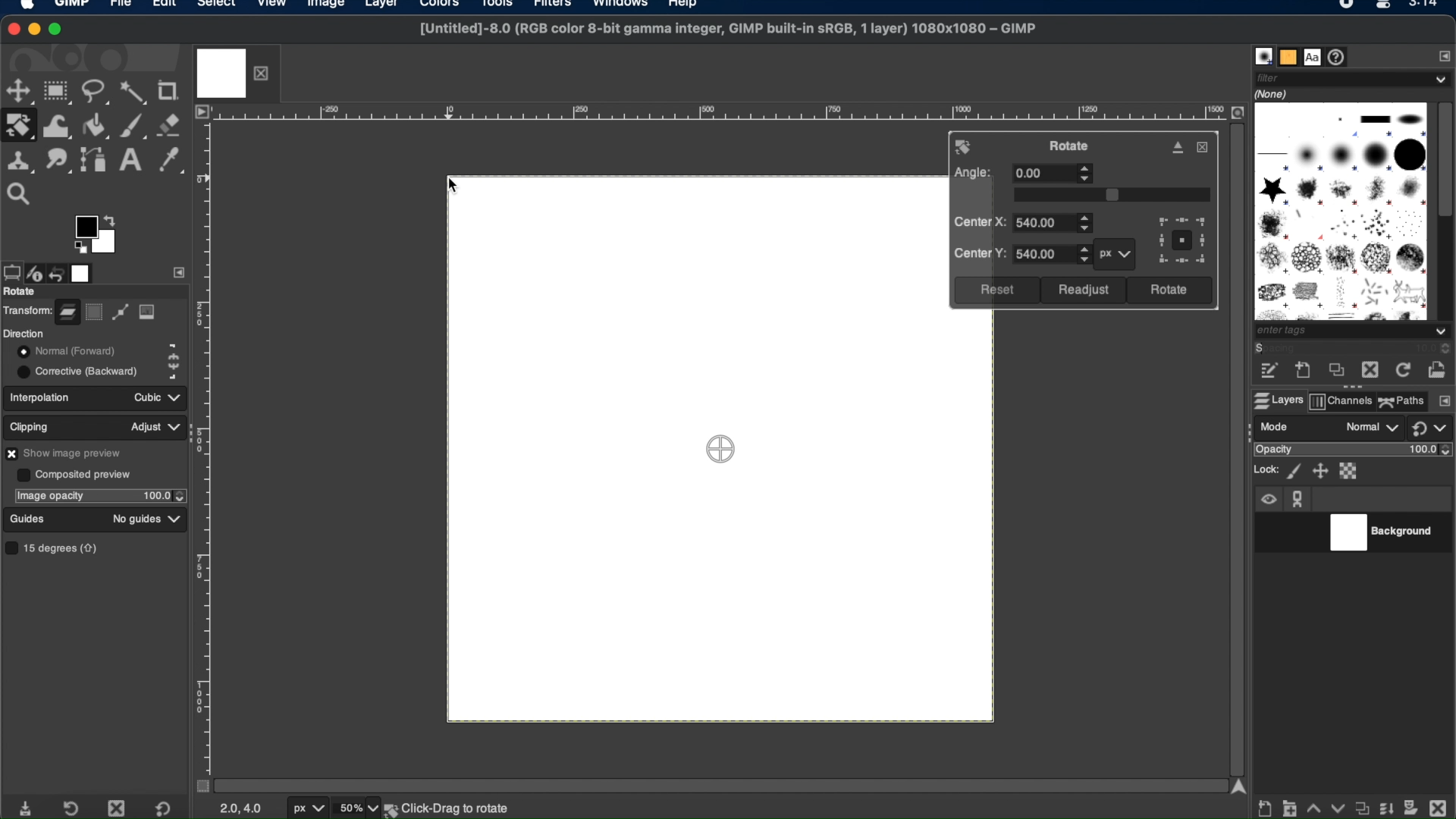 The height and width of the screenshot is (819, 1456). Describe the element at coordinates (1112, 254) in the screenshot. I see `px` at that location.